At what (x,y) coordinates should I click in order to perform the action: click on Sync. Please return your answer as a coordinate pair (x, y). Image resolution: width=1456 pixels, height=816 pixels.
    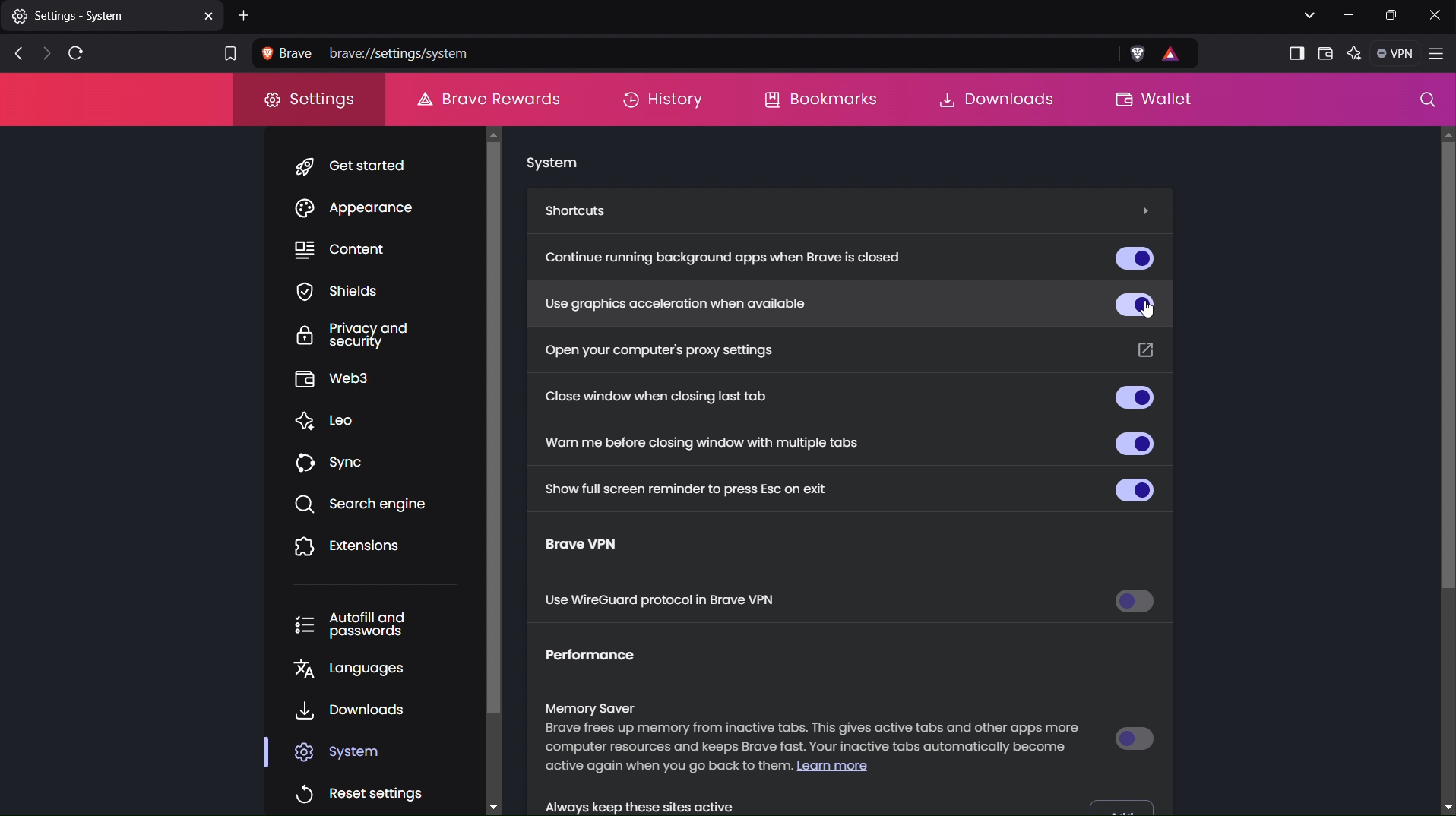
    Looking at the image, I should click on (337, 463).